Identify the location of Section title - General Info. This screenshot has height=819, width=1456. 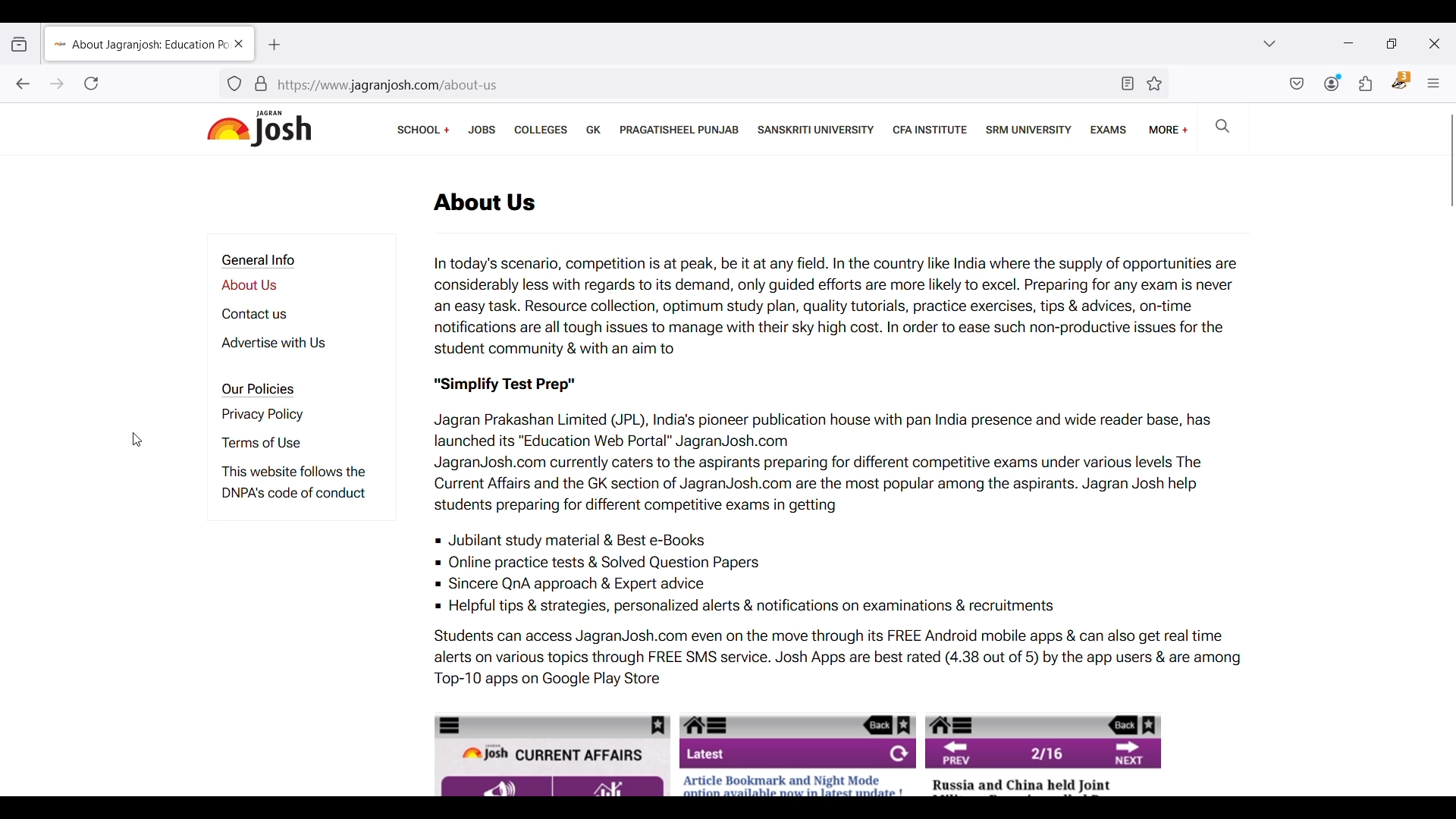
(261, 259).